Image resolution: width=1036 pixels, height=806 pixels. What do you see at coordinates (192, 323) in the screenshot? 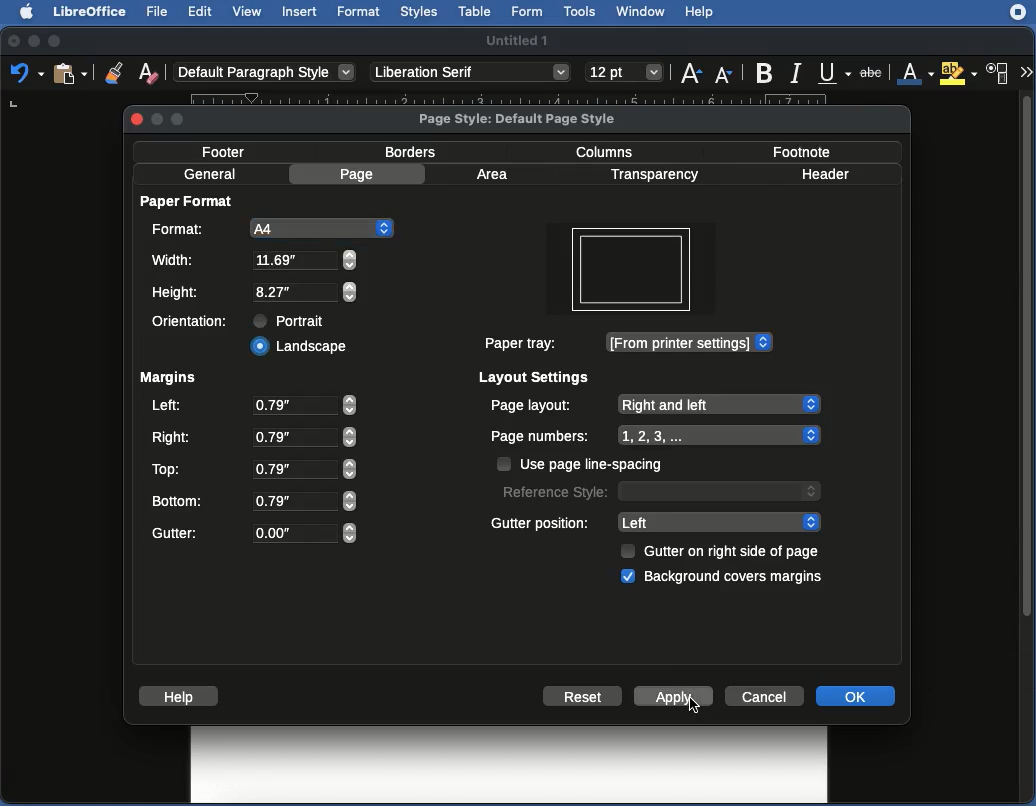
I see `Orientation ` at bounding box center [192, 323].